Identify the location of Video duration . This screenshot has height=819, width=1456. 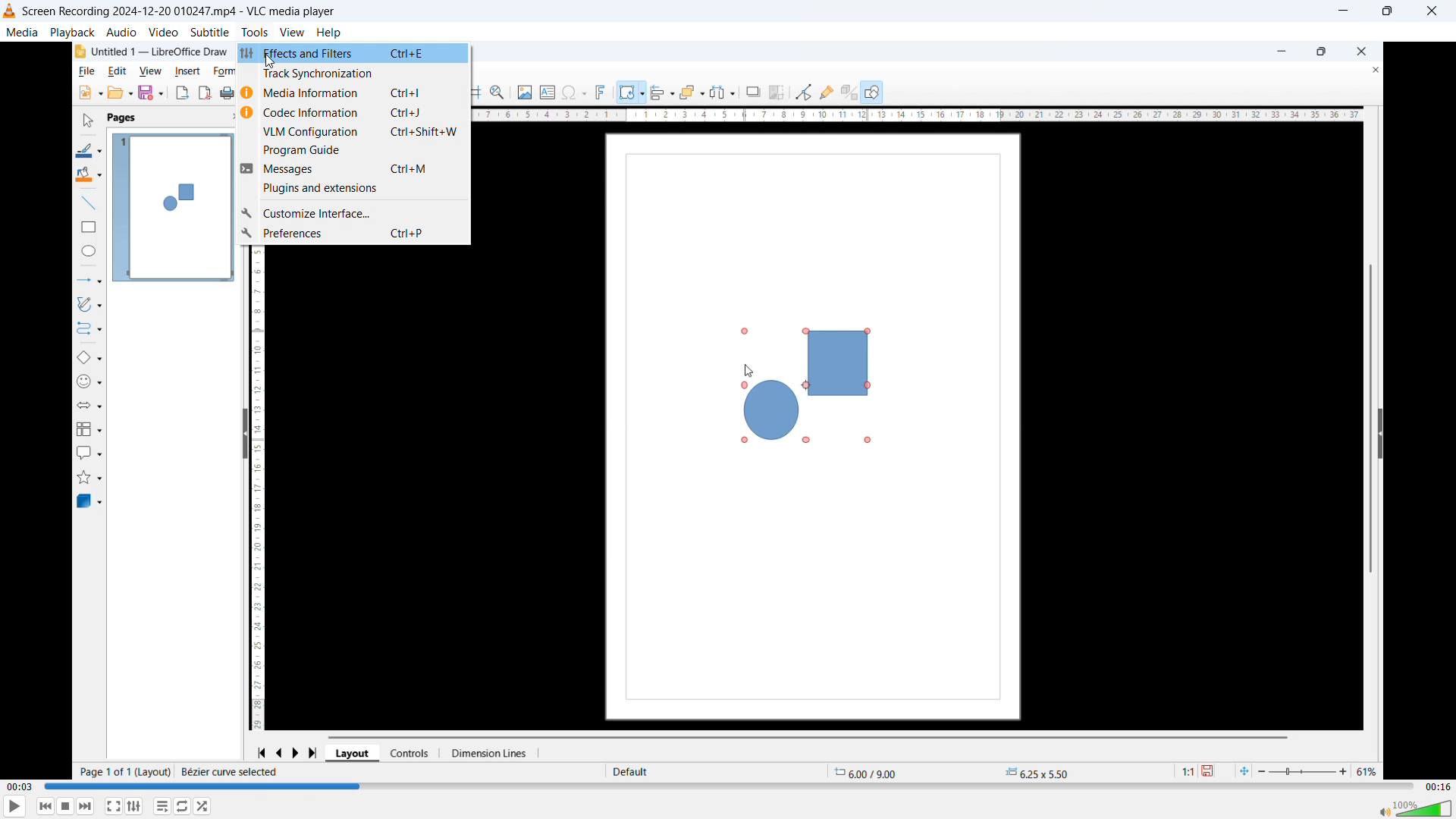
(1436, 786).